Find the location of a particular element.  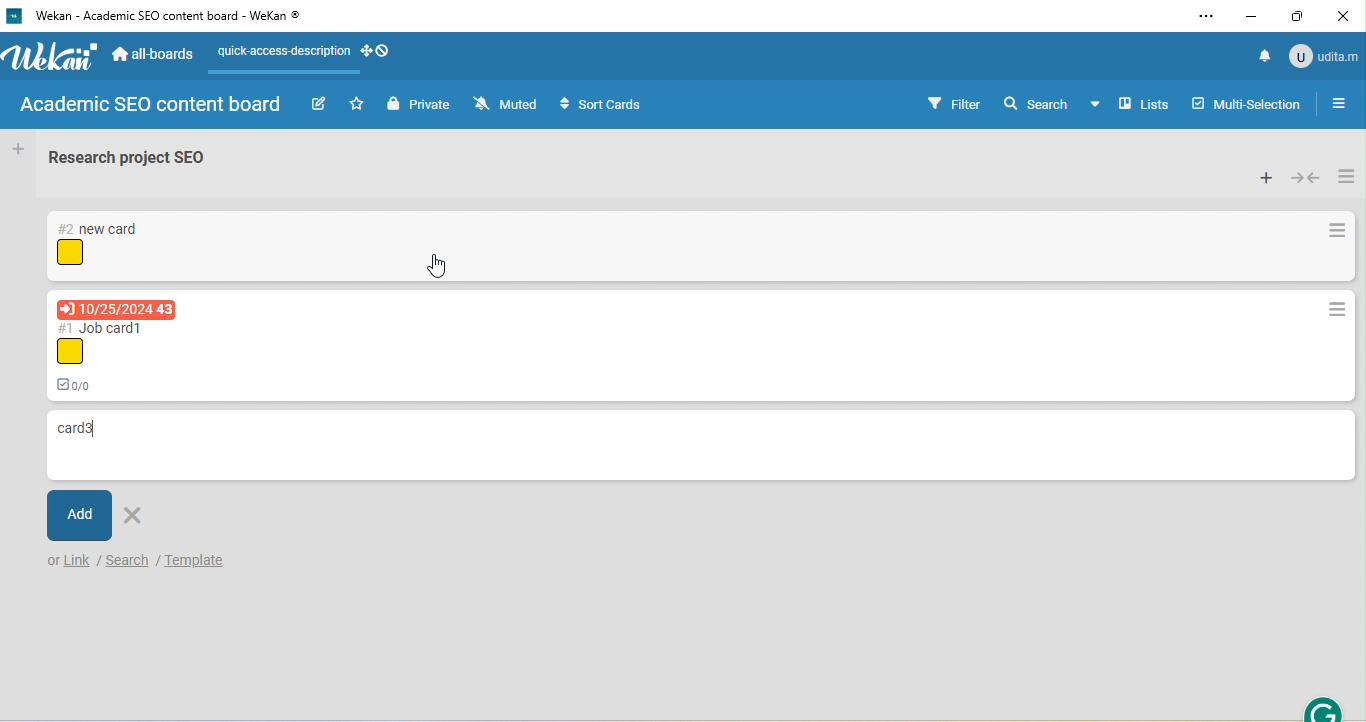

grammarly extension is located at coordinates (1325, 707).